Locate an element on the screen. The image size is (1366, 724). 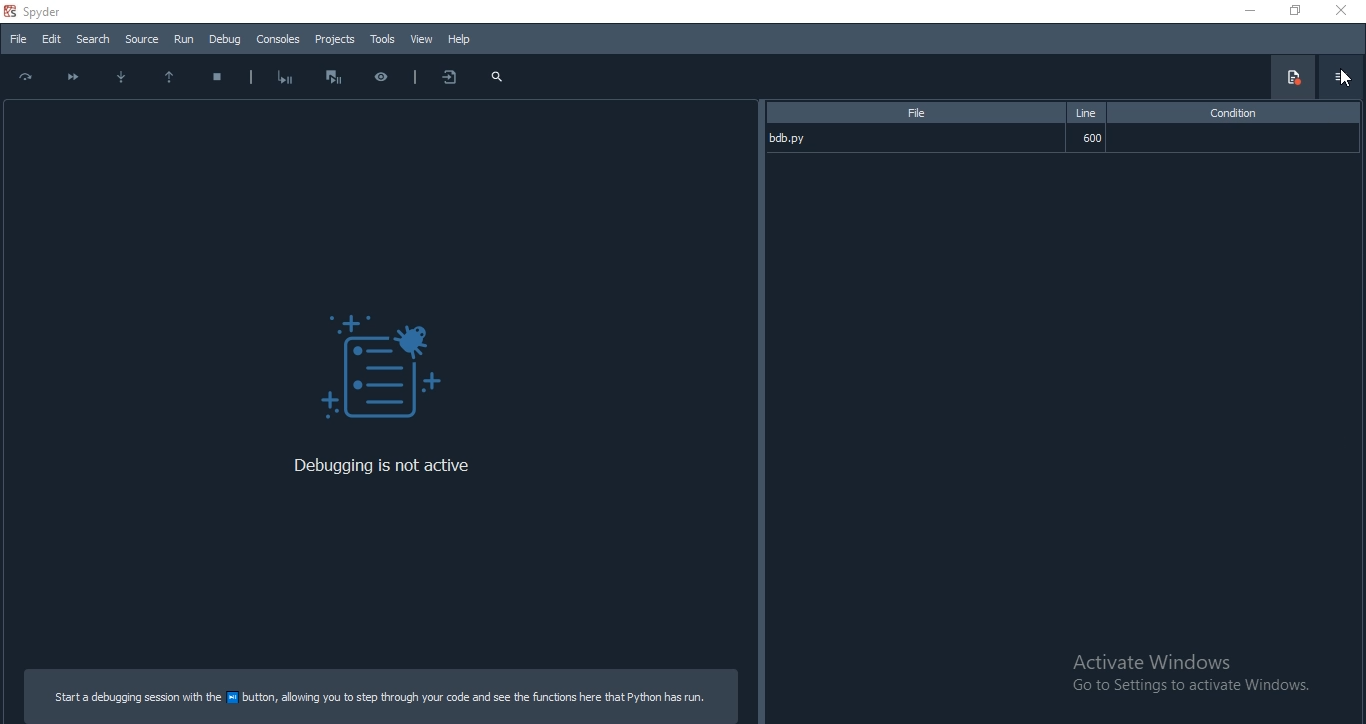
Condition  is located at coordinates (1239, 114).